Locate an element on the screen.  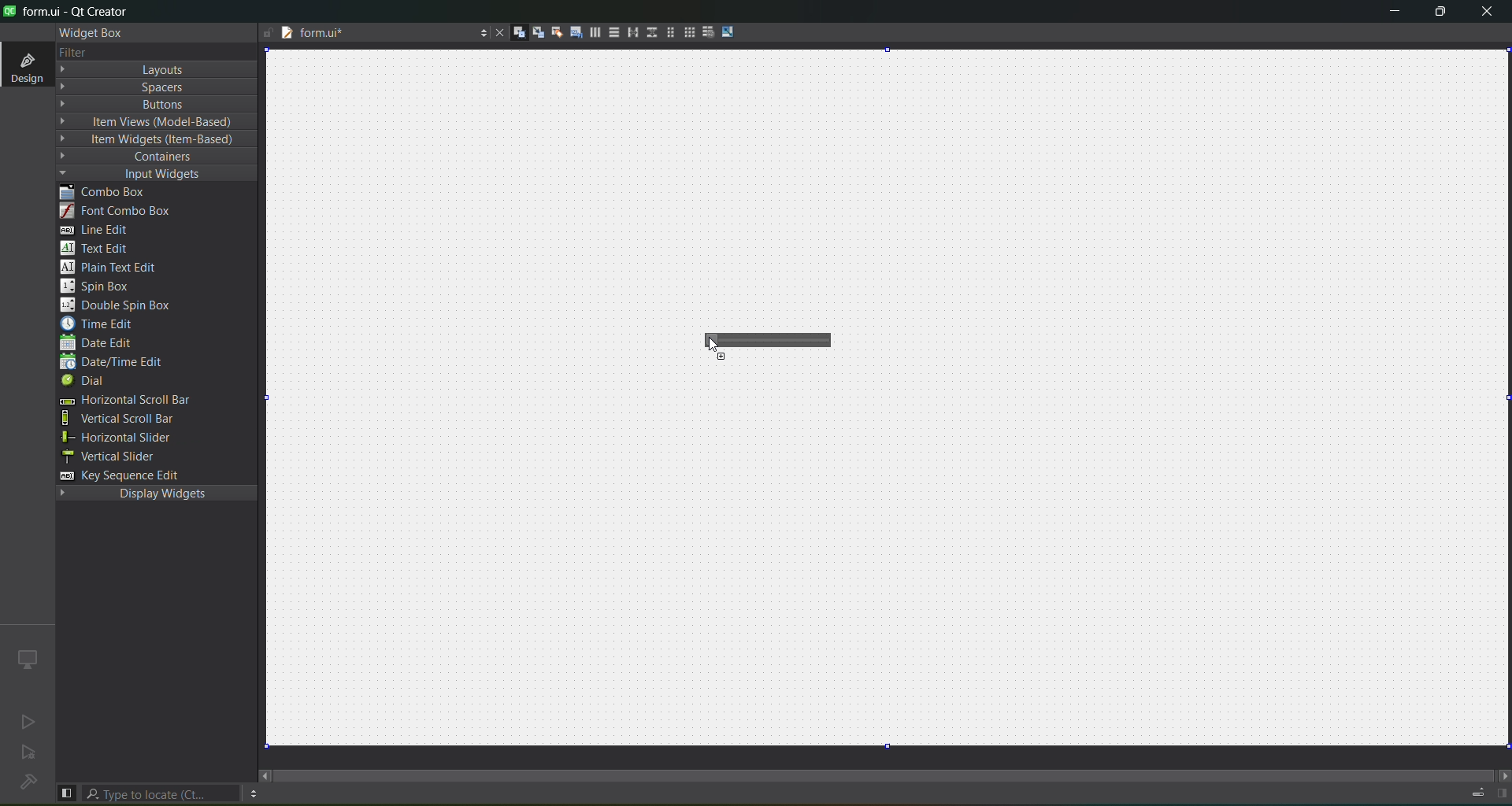
item widget is located at coordinates (150, 139).